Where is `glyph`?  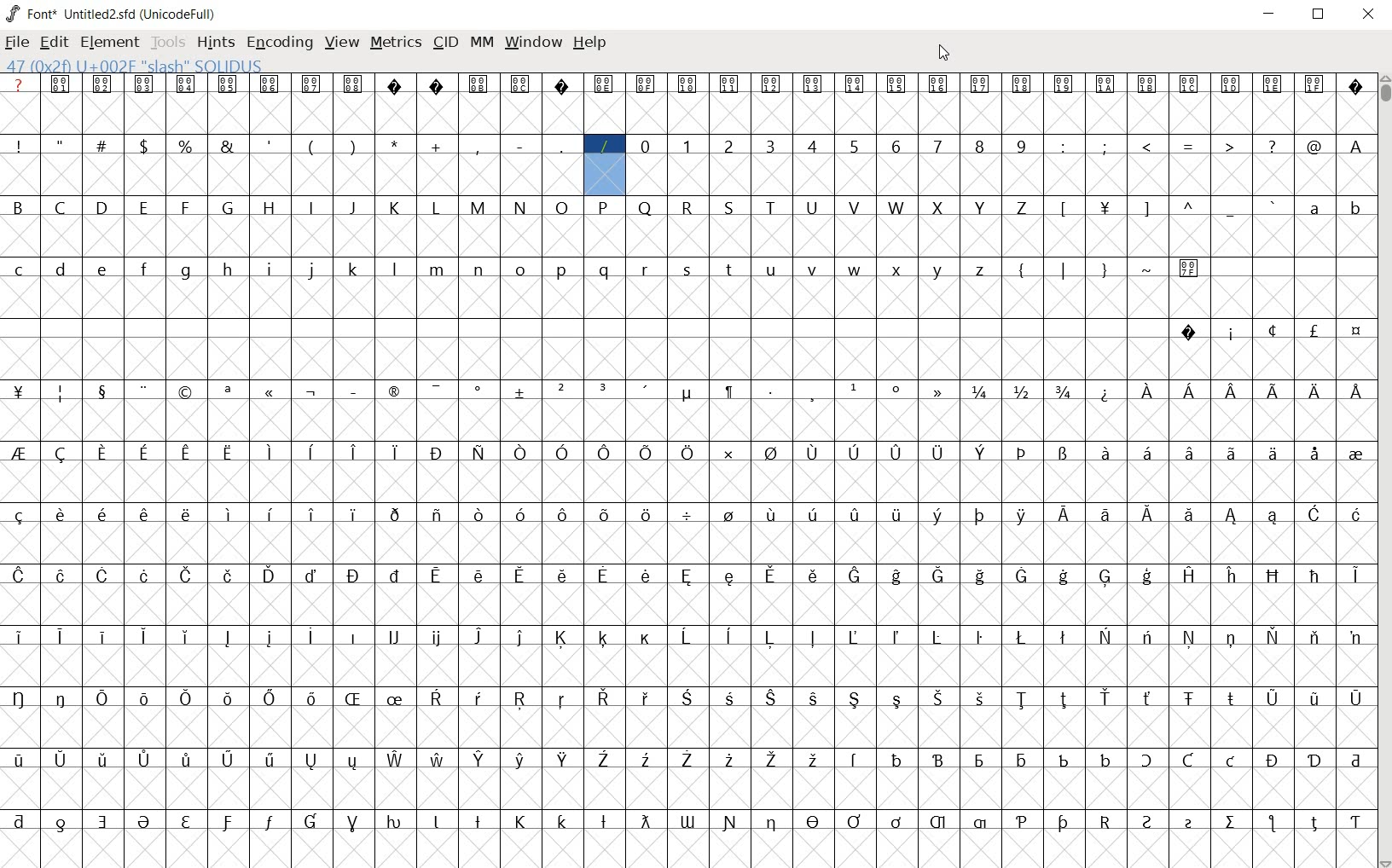 glyph is located at coordinates (729, 147).